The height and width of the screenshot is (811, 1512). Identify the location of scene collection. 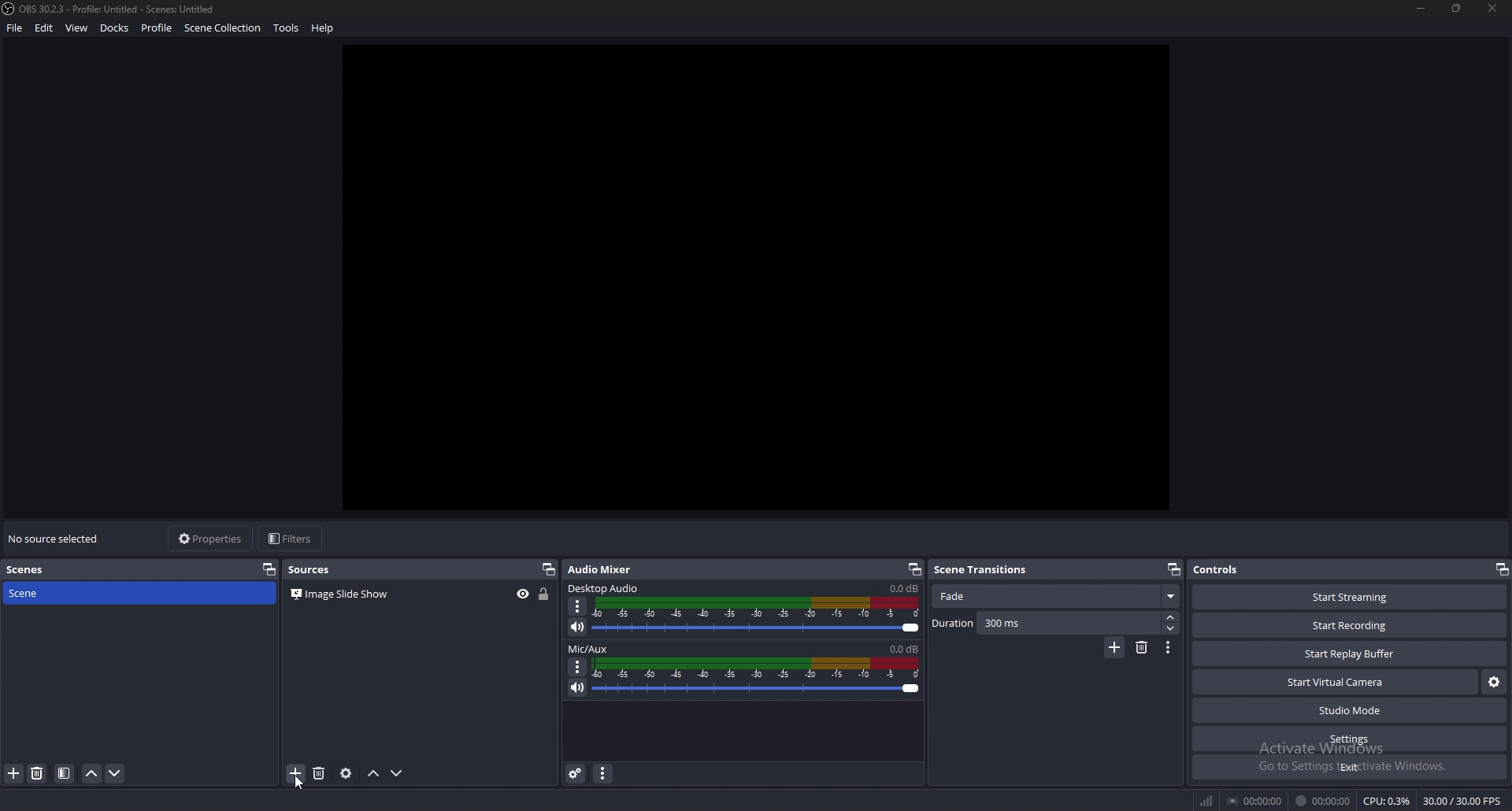
(224, 27).